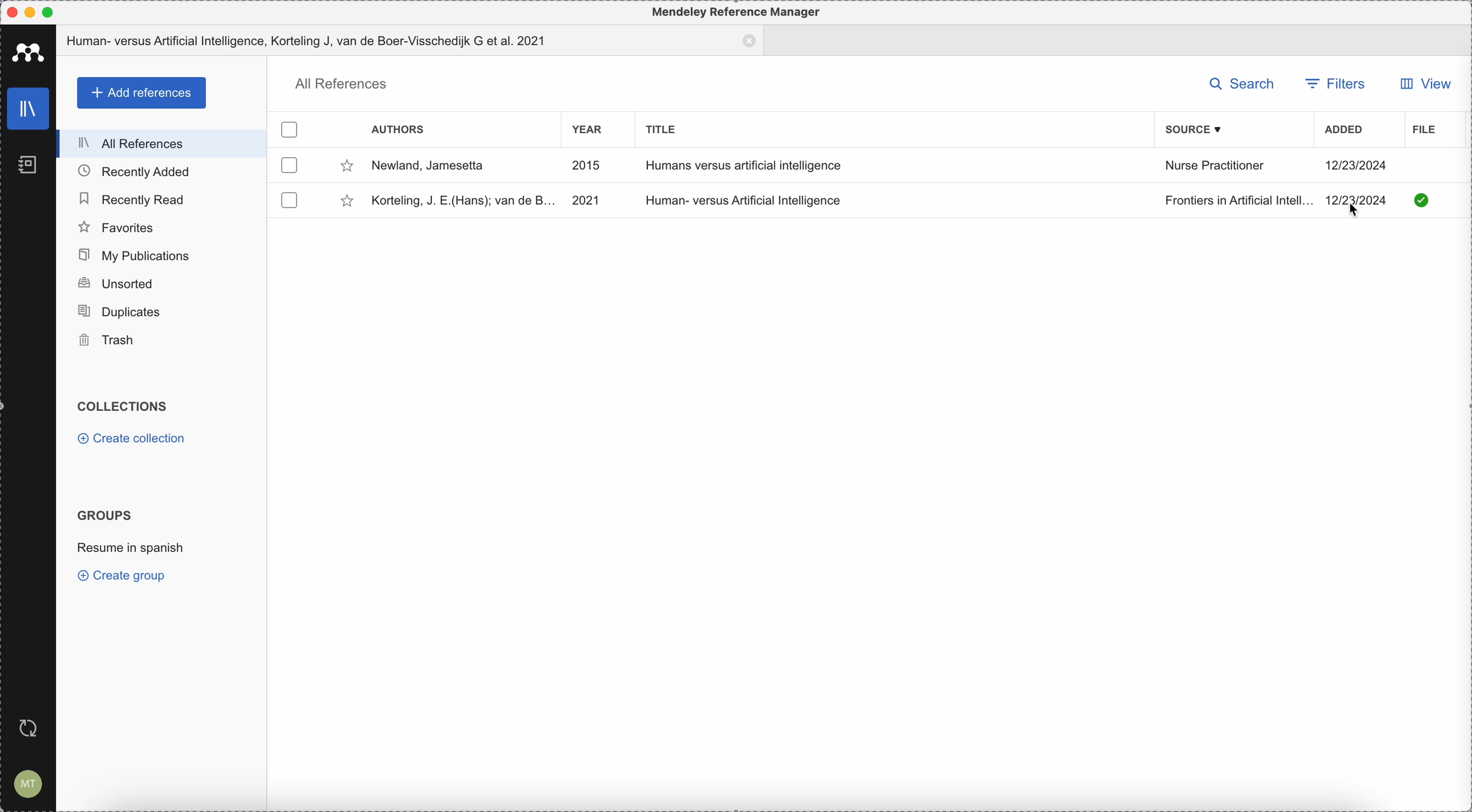  I want to click on recently added, so click(166, 171).